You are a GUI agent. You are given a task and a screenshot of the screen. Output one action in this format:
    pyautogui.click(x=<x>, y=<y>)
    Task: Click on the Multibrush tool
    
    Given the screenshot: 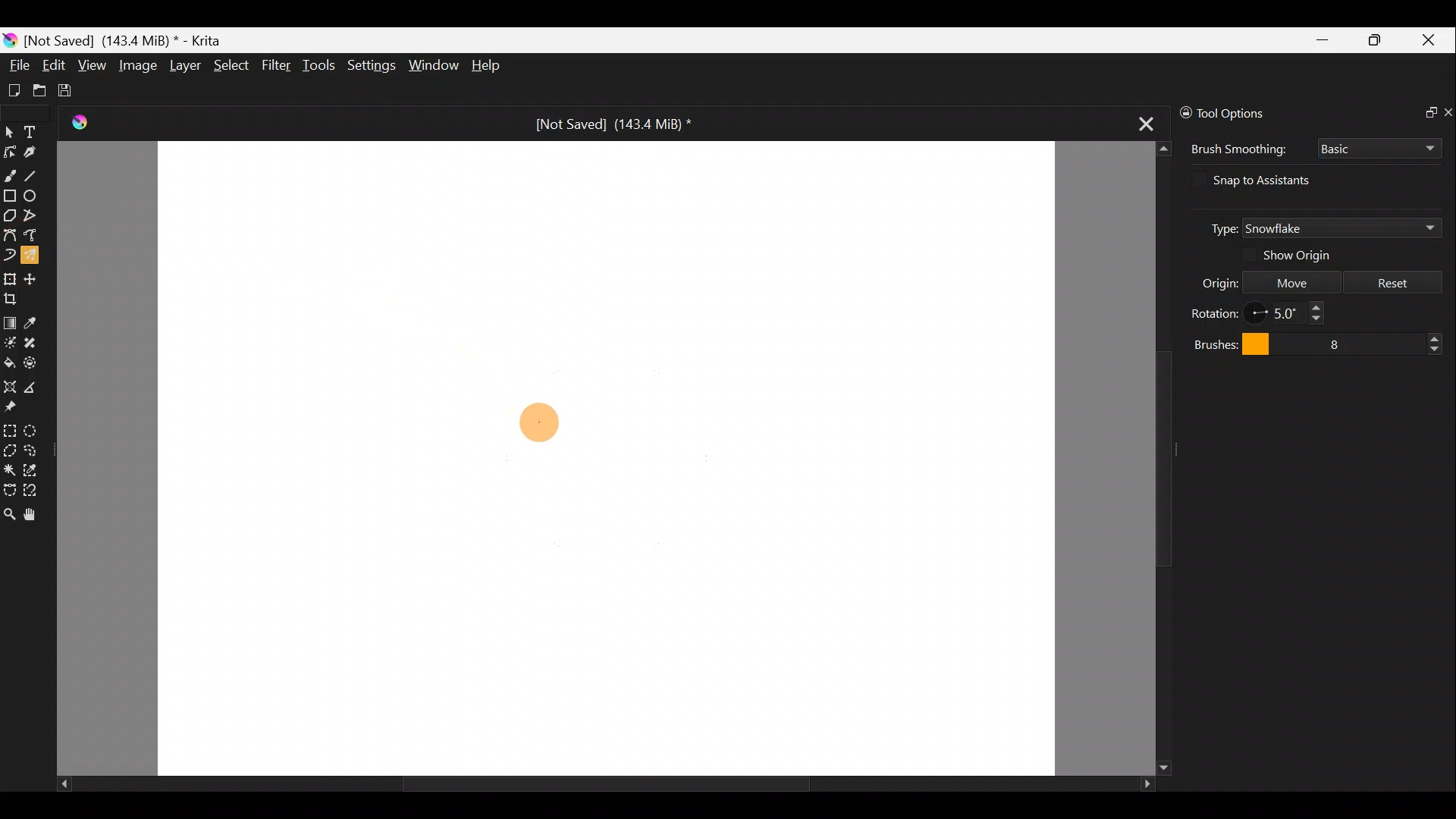 What is the action you would take?
    pyautogui.click(x=32, y=259)
    